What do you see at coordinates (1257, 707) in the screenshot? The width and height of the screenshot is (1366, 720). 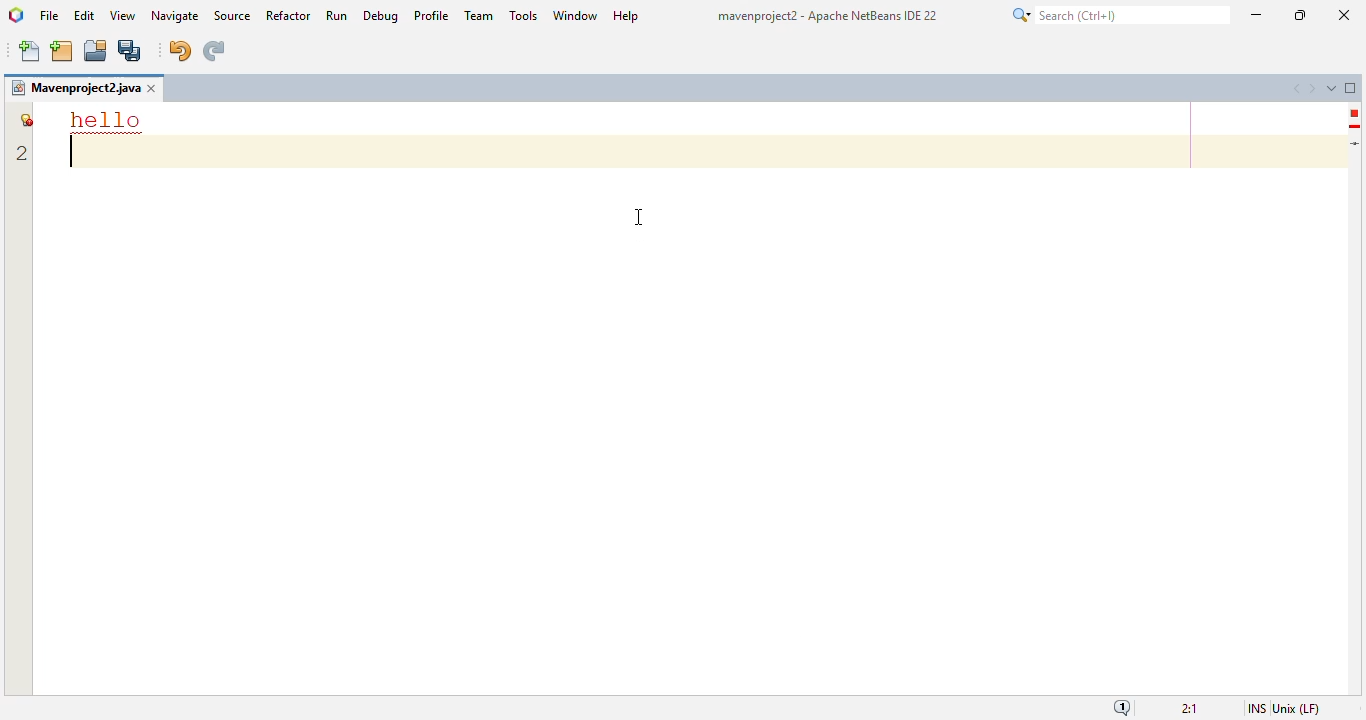 I see `insert mode` at bounding box center [1257, 707].